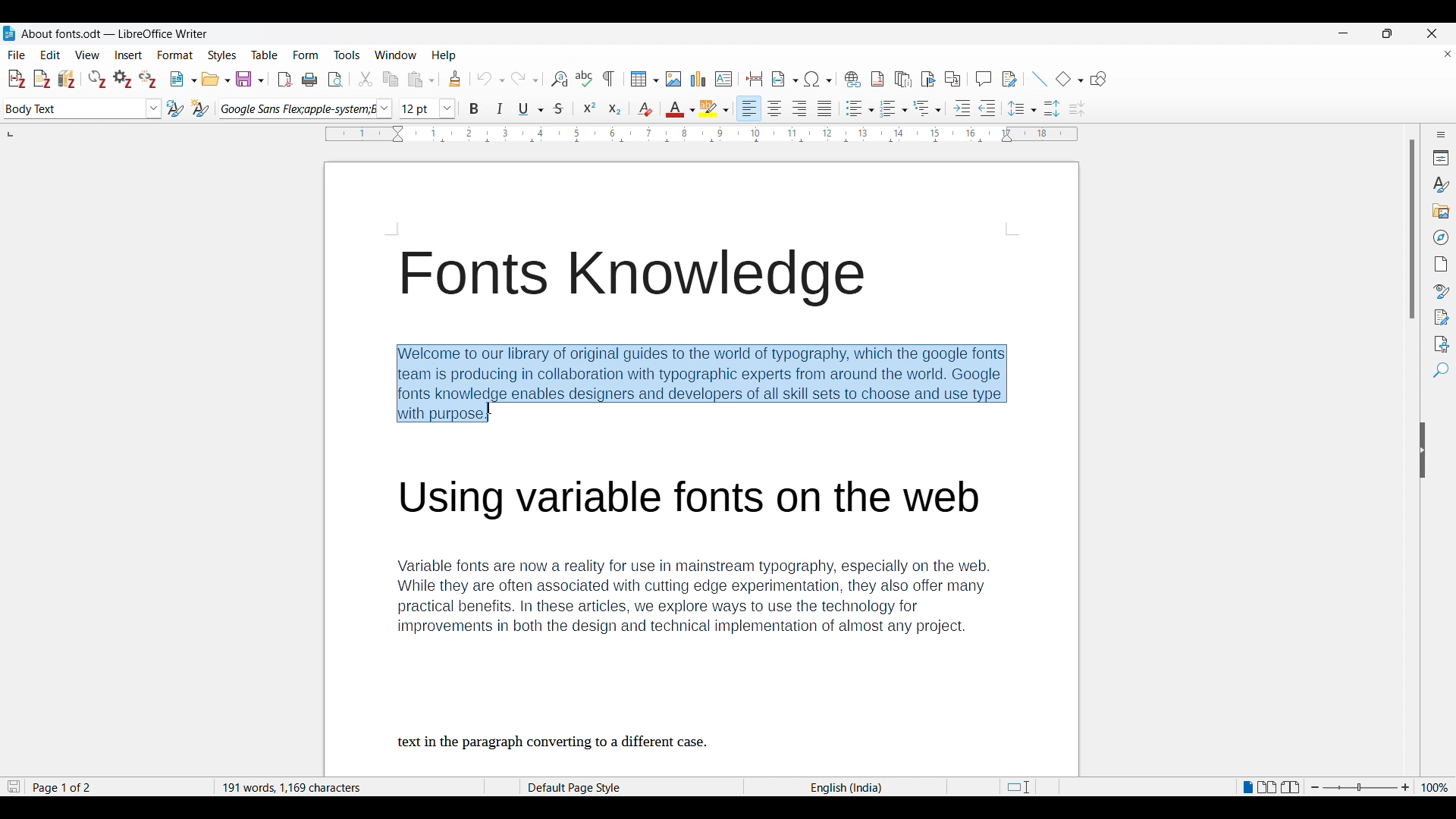 This screenshot has width=1456, height=819. What do you see at coordinates (590, 108) in the screenshot?
I see `Superscript` at bounding box center [590, 108].